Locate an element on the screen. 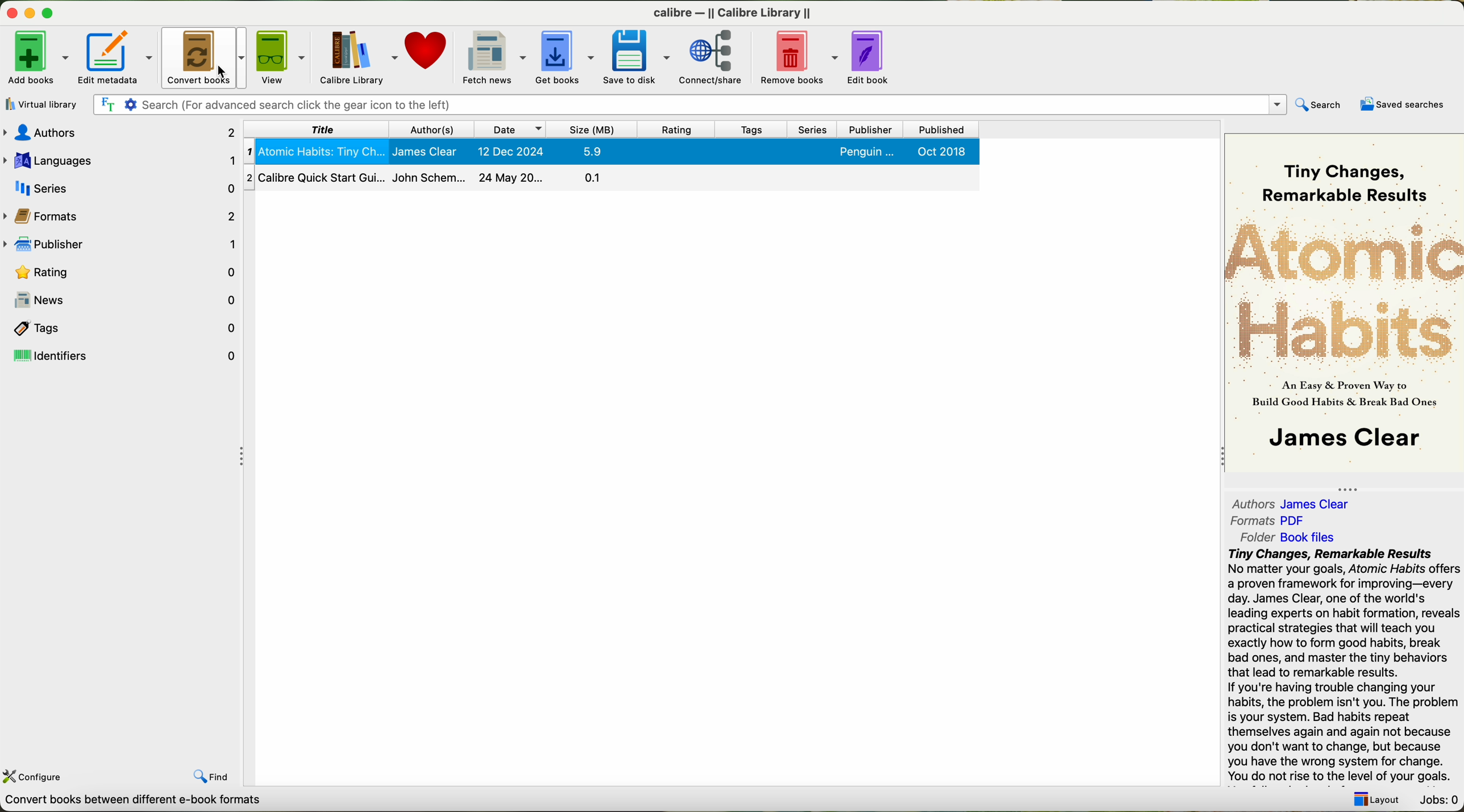 The height and width of the screenshot is (812, 1464). close program is located at coordinates (10, 11).